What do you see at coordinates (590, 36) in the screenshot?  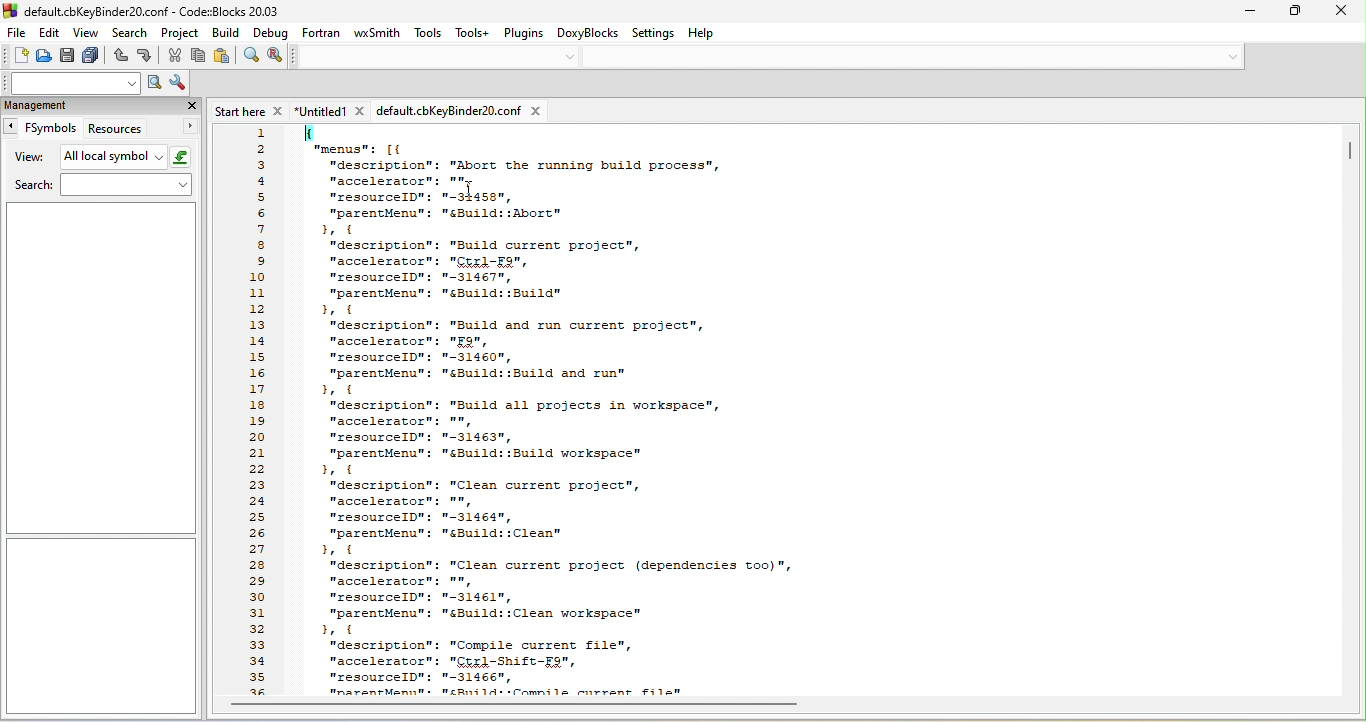 I see `doxyblocks` at bounding box center [590, 36].